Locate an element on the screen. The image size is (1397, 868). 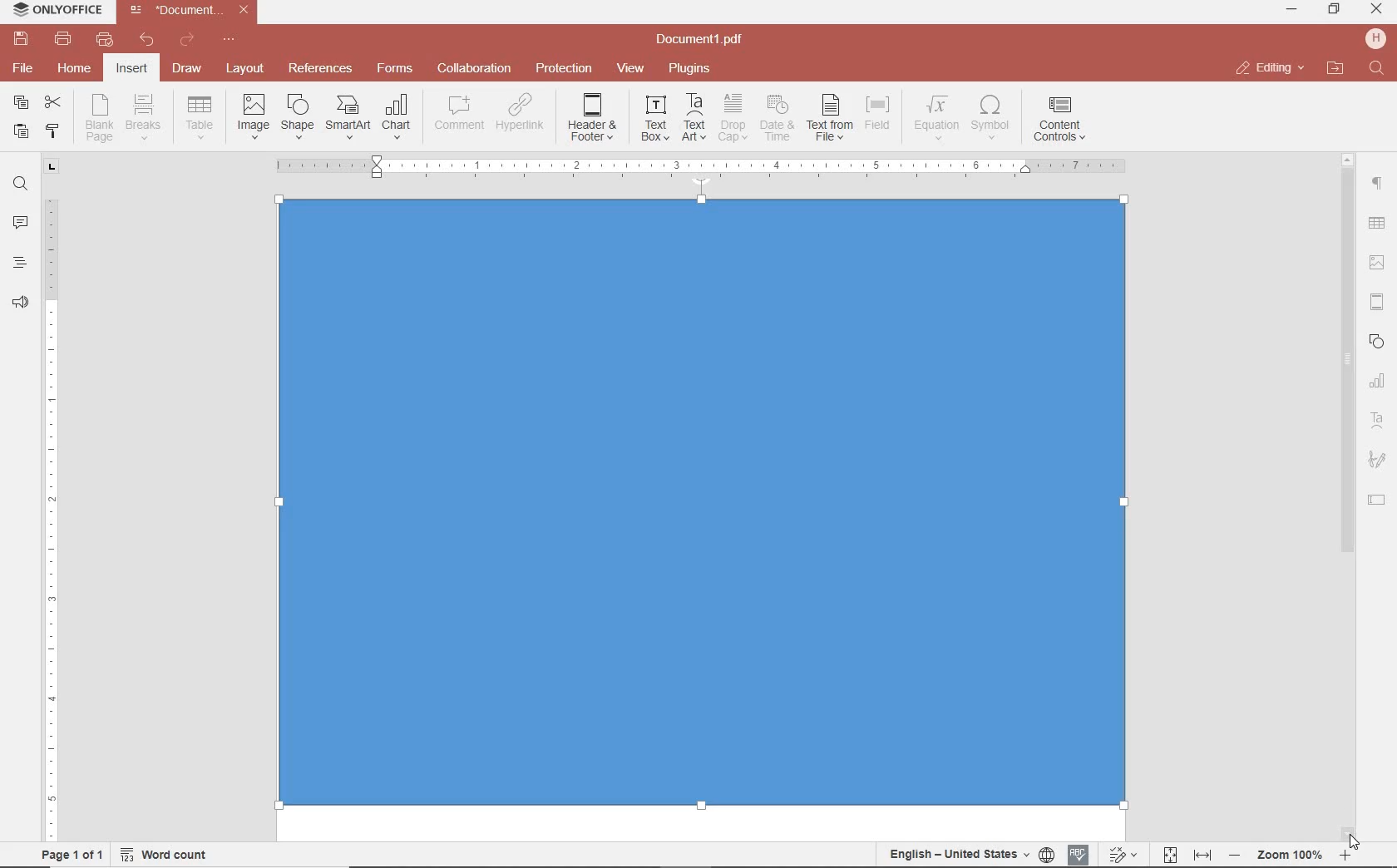
INSERT SYMBOL is located at coordinates (990, 116).